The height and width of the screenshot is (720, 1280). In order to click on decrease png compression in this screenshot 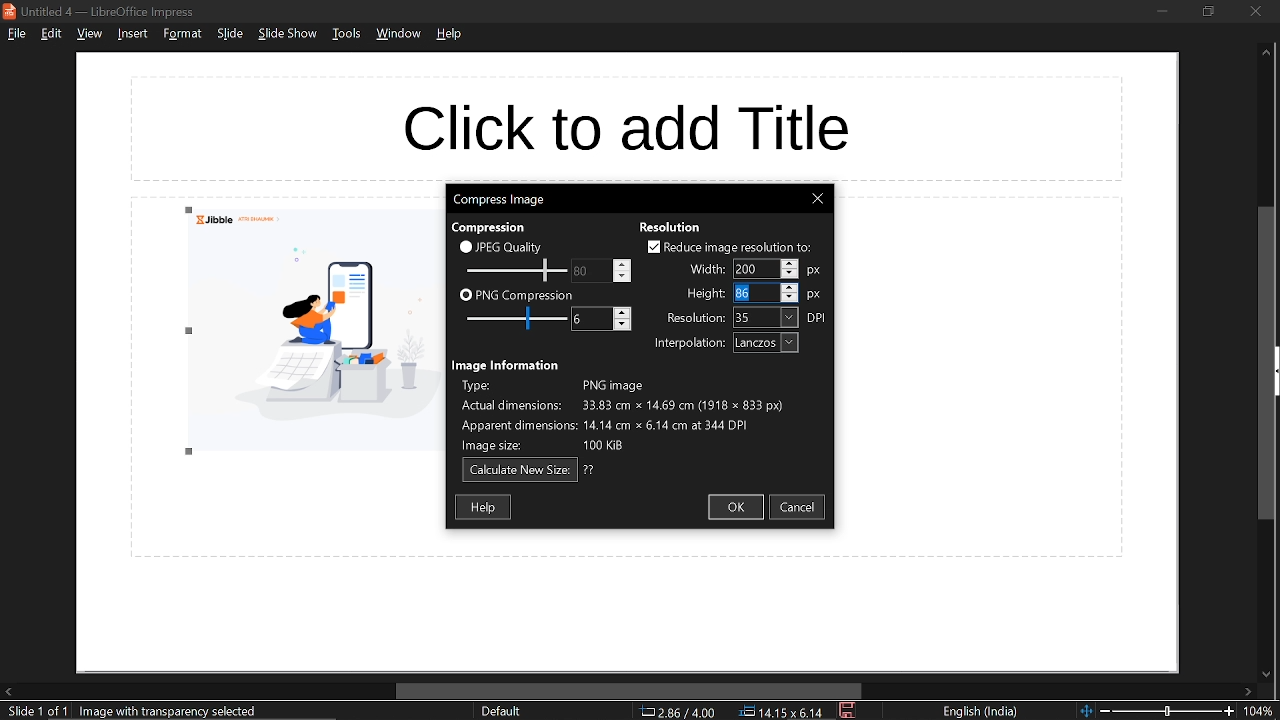, I will do `click(622, 326)`.